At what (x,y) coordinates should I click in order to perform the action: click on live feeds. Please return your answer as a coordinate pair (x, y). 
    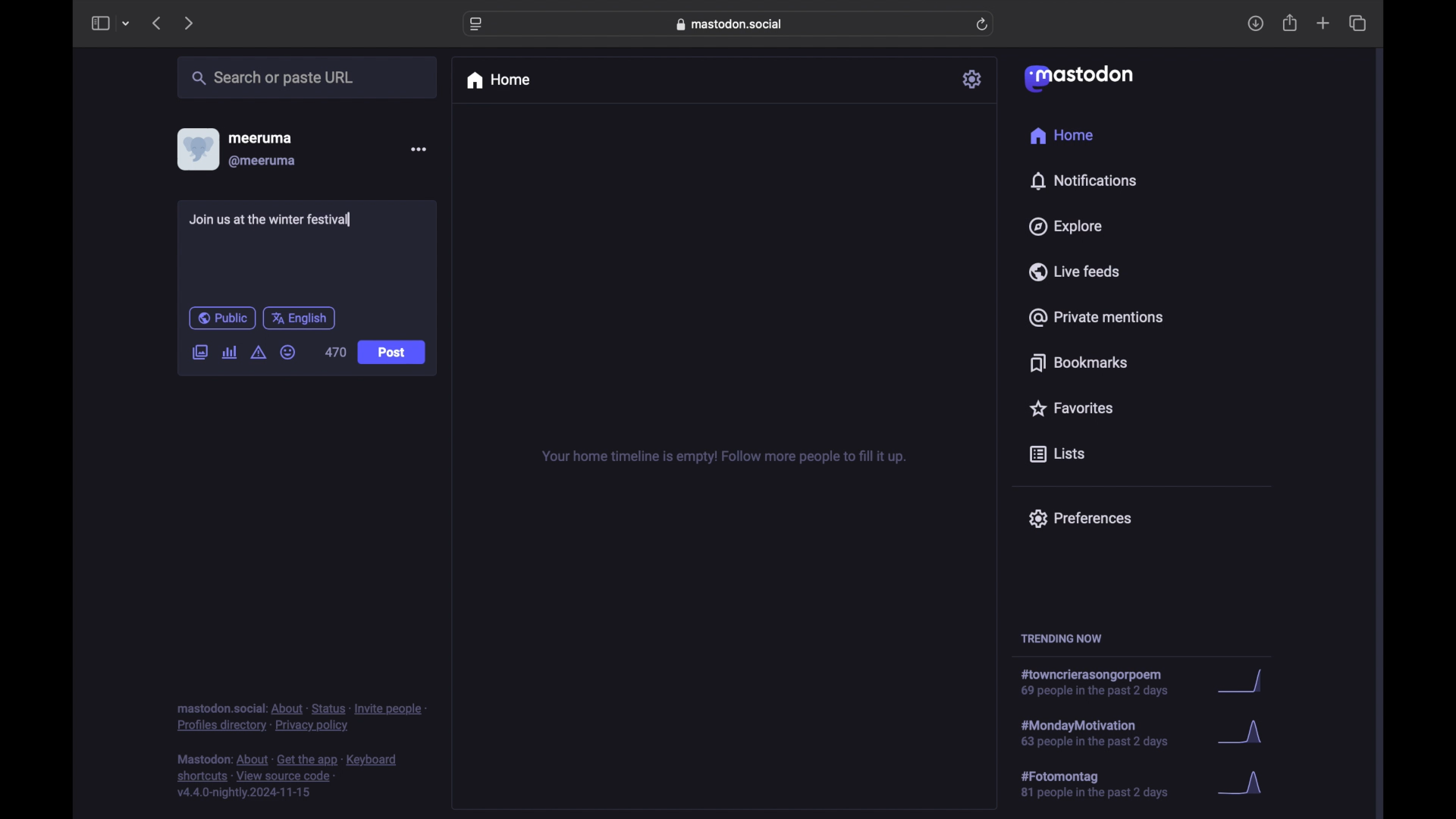
    Looking at the image, I should click on (1075, 271).